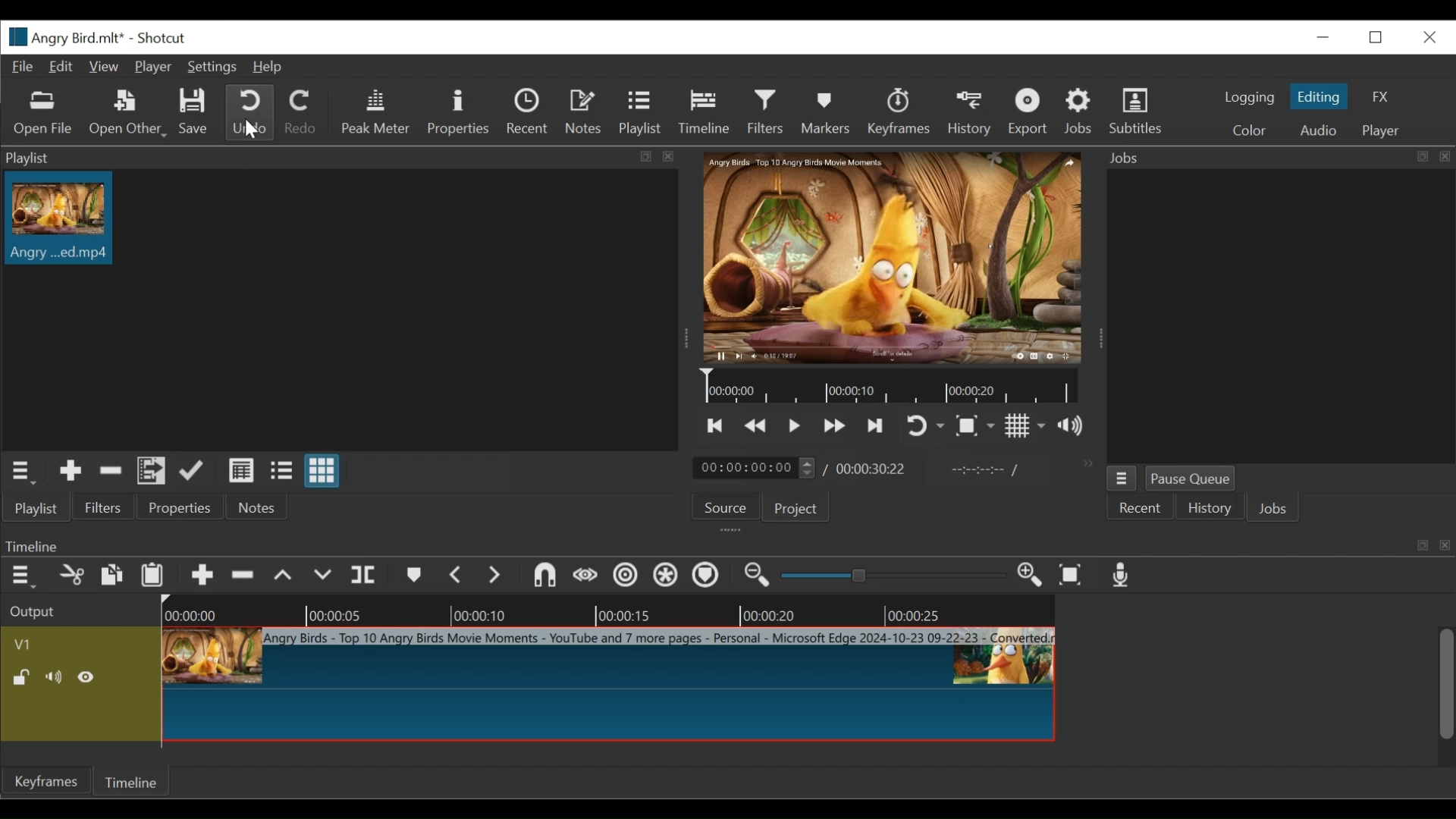 Image resolution: width=1456 pixels, height=819 pixels. I want to click on minimize, so click(1323, 39).